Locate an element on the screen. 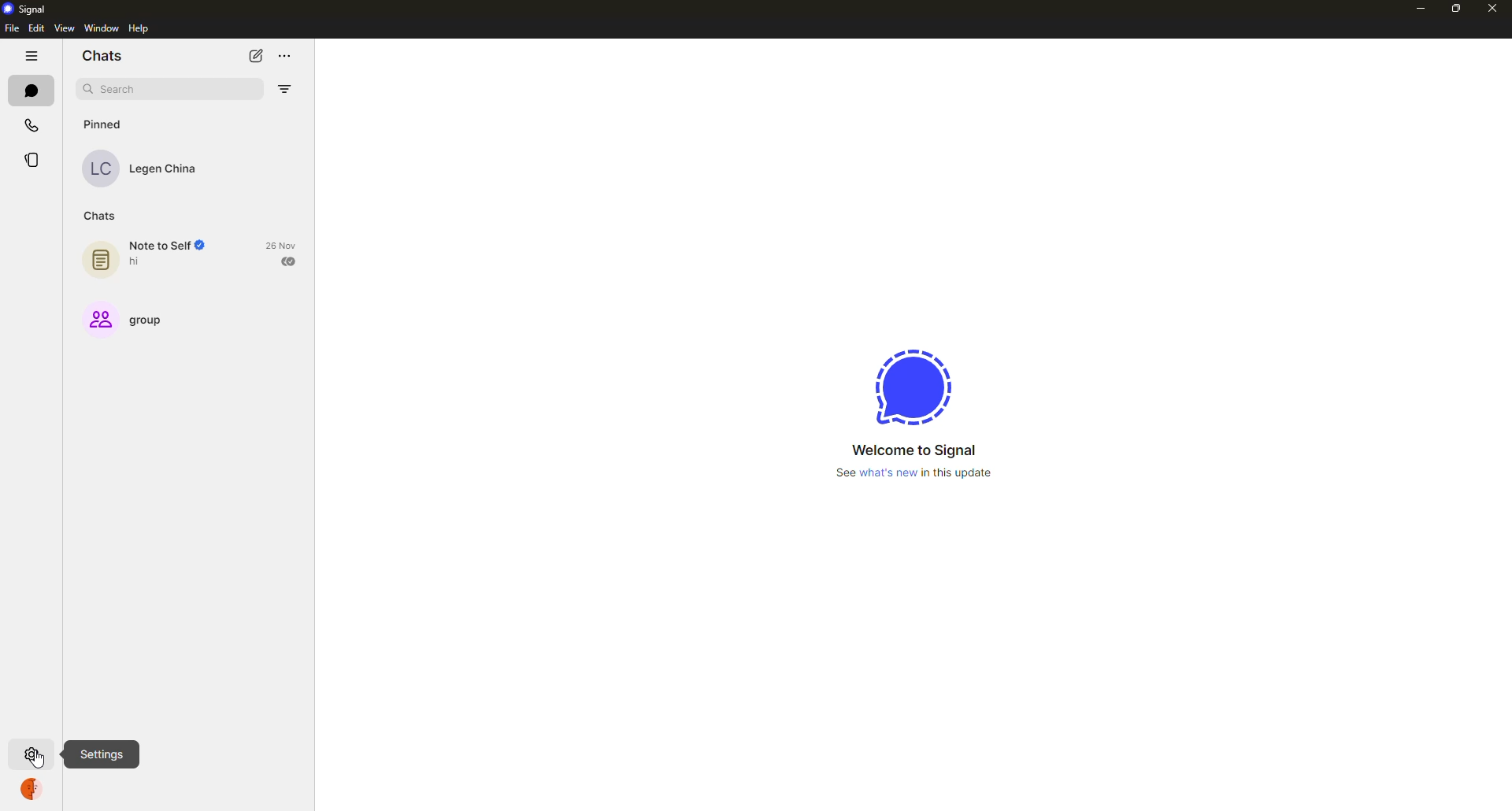 Image resolution: width=1512 pixels, height=811 pixels. See what's new in this update is located at coordinates (916, 475).